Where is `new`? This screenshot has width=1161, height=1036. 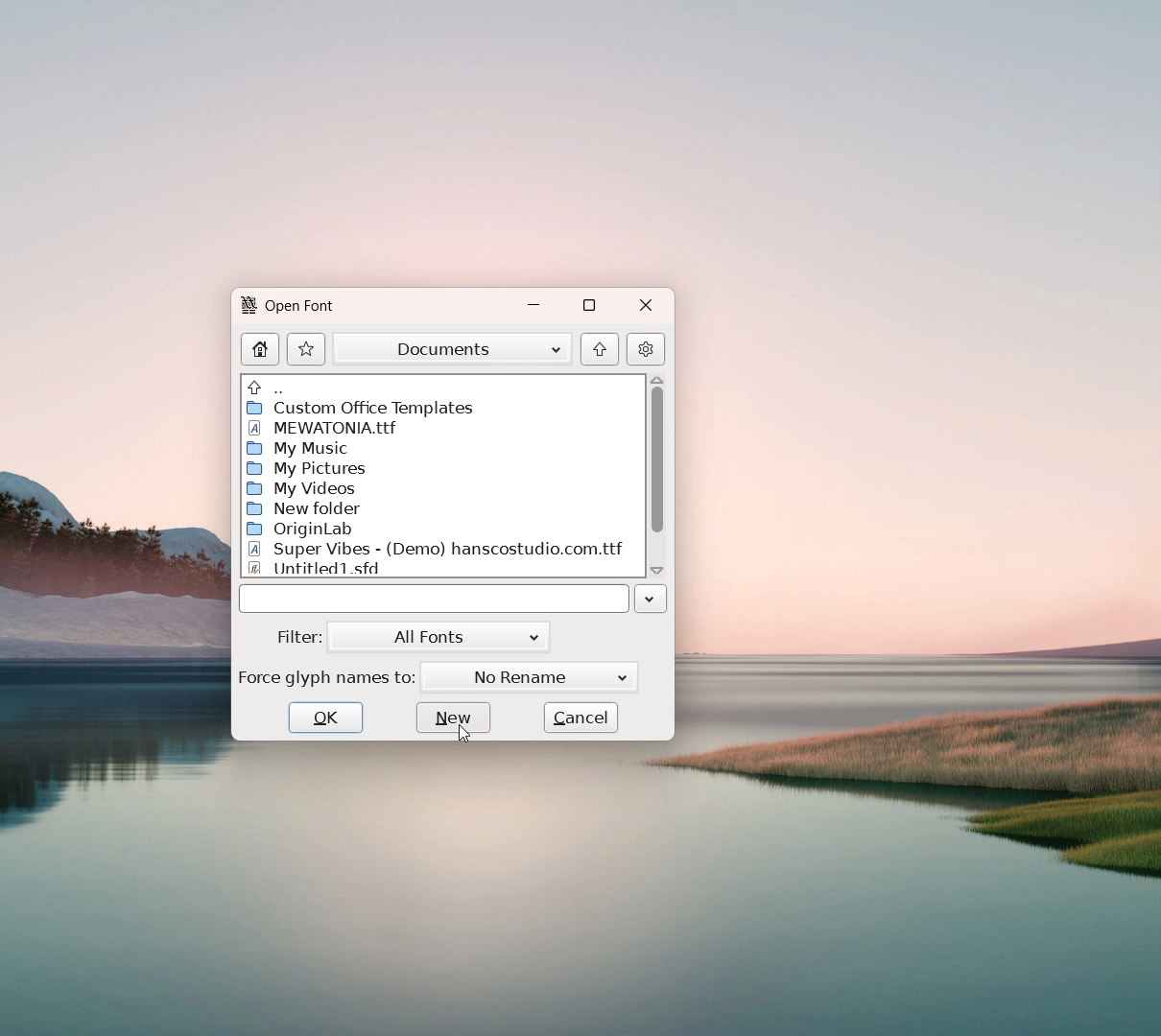
new is located at coordinates (454, 718).